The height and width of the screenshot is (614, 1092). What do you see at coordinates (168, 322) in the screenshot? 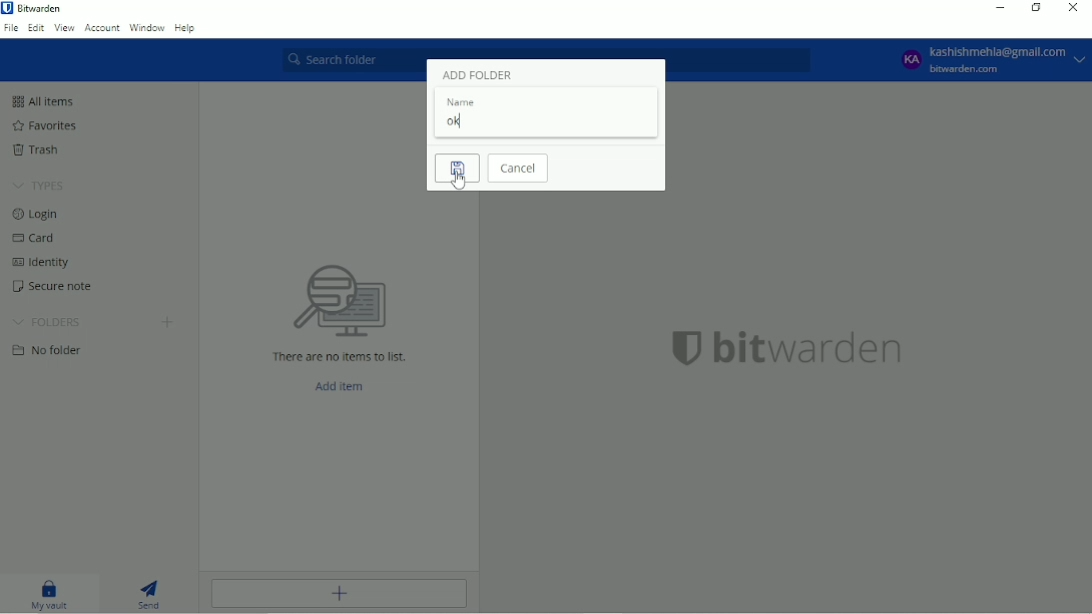
I see `Add folder` at bounding box center [168, 322].